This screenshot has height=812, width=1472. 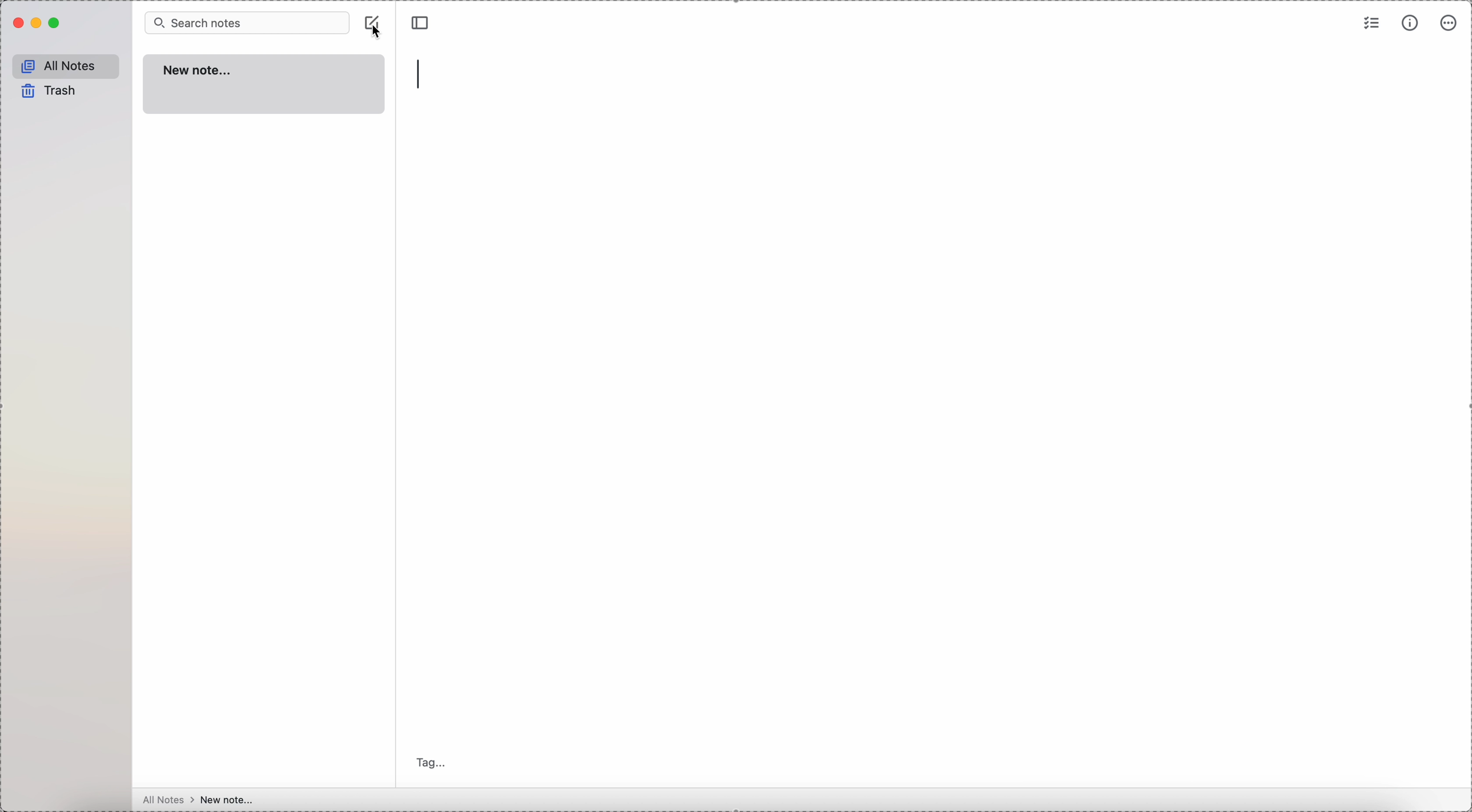 What do you see at coordinates (266, 87) in the screenshot?
I see `new note` at bounding box center [266, 87].